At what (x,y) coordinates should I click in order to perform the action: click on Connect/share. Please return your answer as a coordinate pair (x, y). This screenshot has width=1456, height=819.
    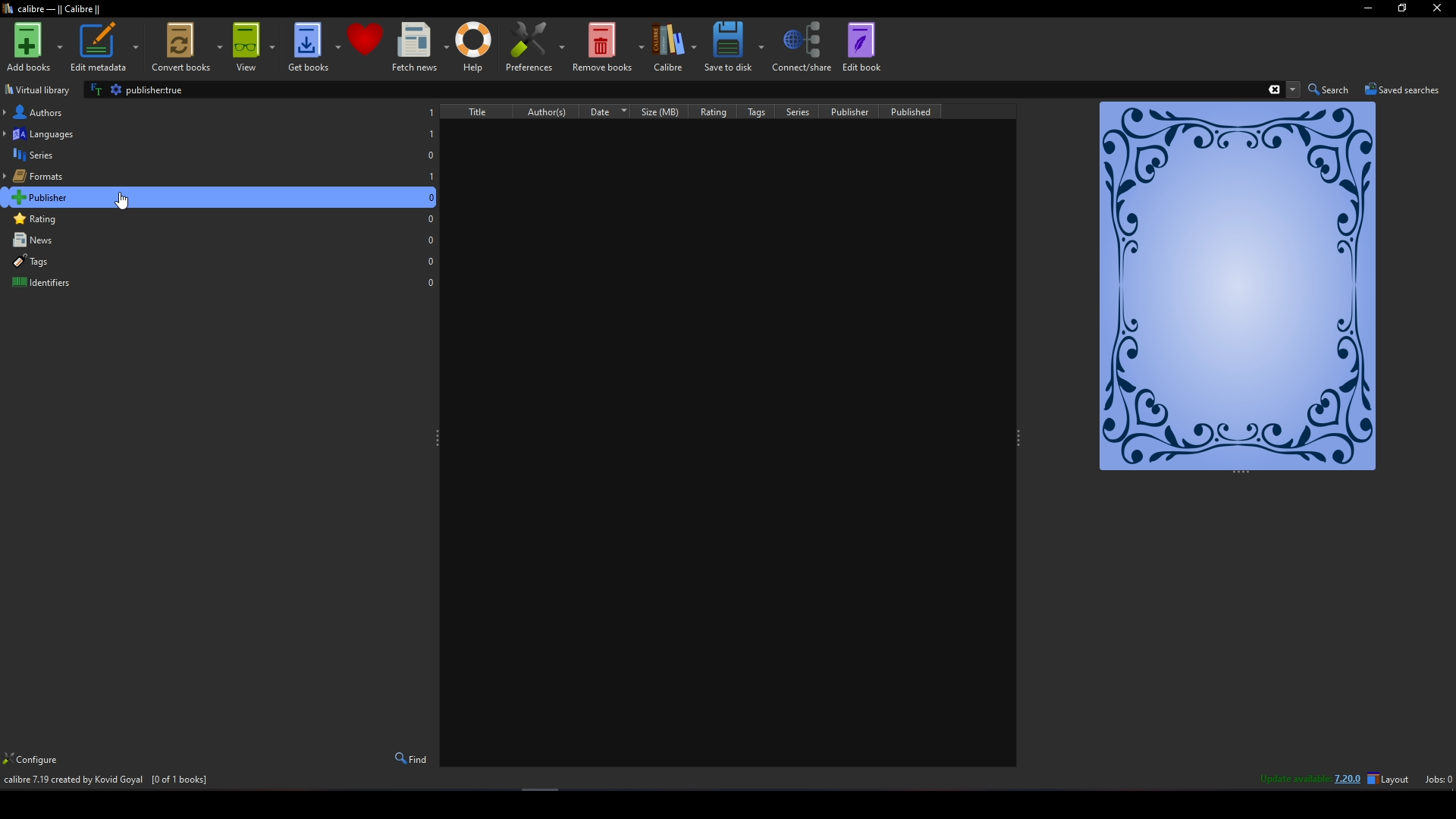
    Looking at the image, I should click on (803, 45).